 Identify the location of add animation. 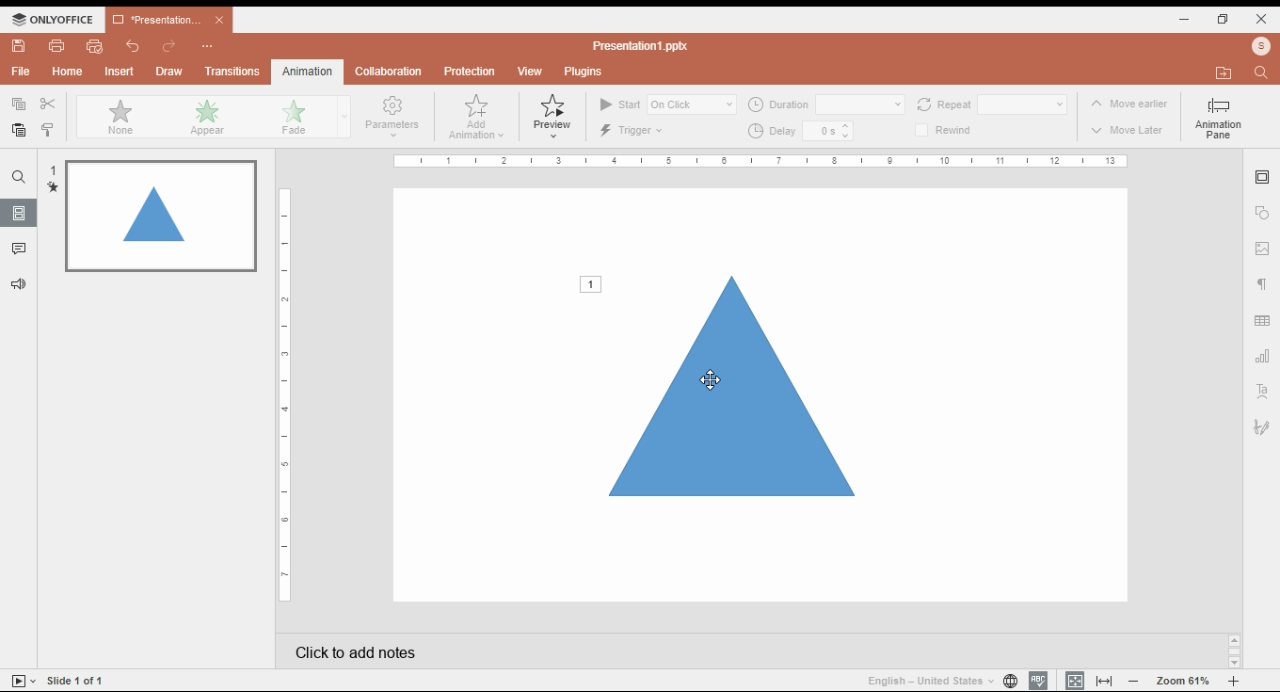
(476, 117).